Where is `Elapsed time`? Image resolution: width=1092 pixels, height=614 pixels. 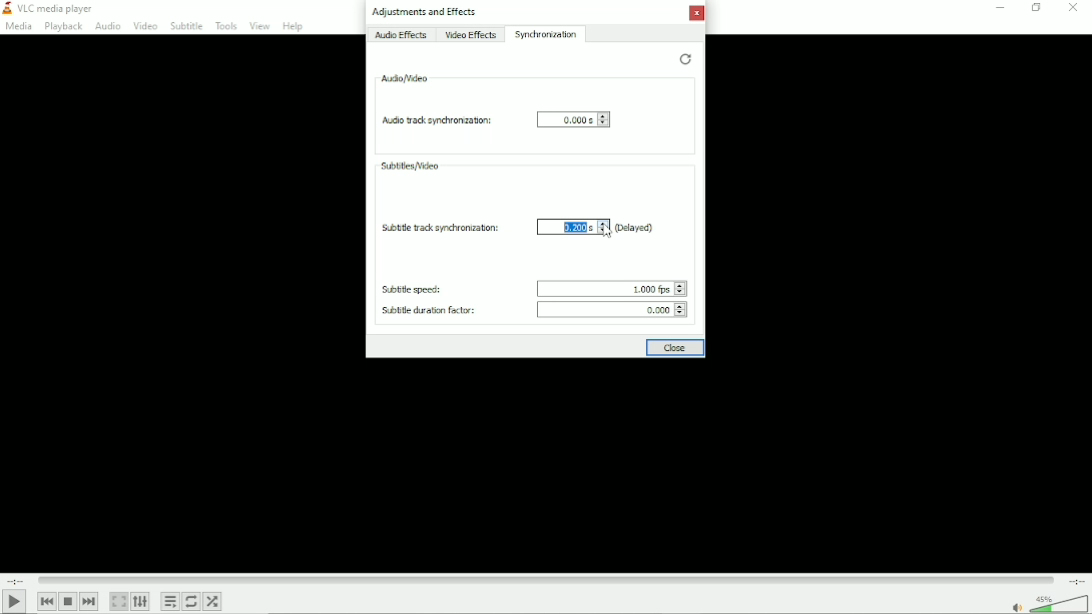
Elapsed time is located at coordinates (14, 579).